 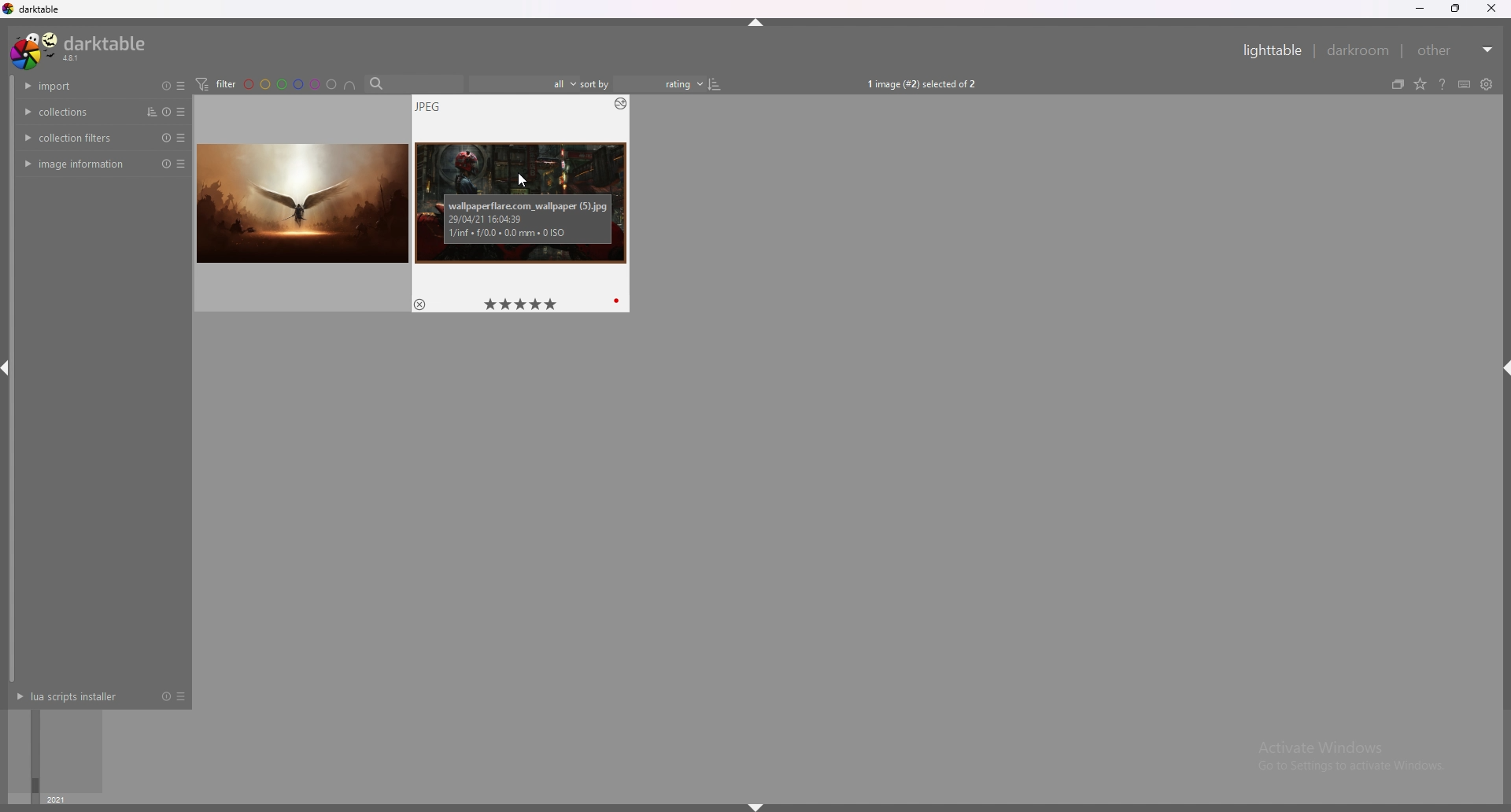 I want to click on image information, so click(x=81, y=164).